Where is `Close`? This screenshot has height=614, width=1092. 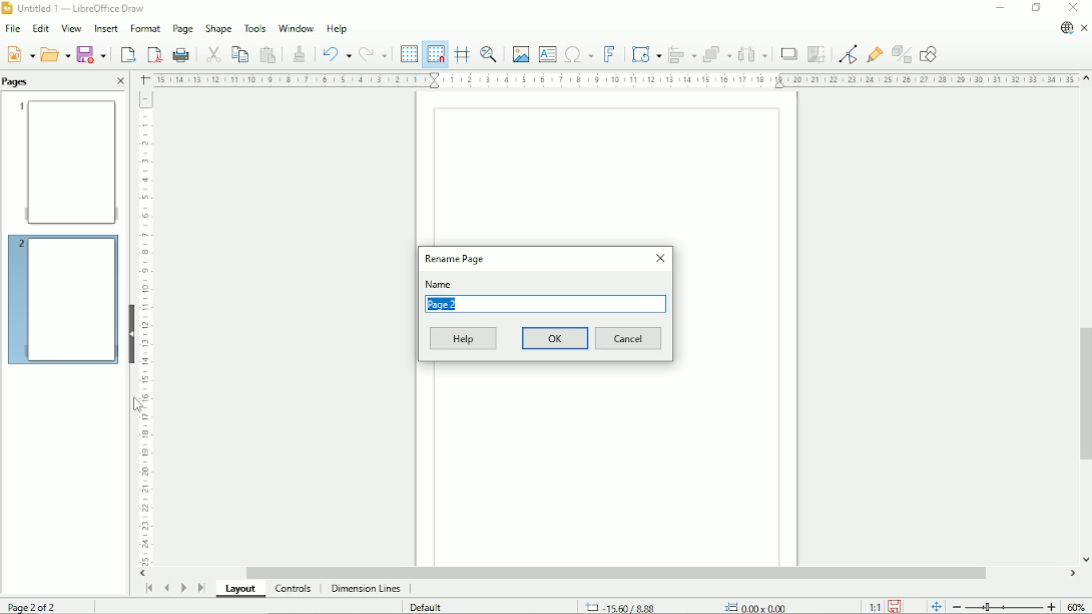
Close is located at coordinates (120, 82).